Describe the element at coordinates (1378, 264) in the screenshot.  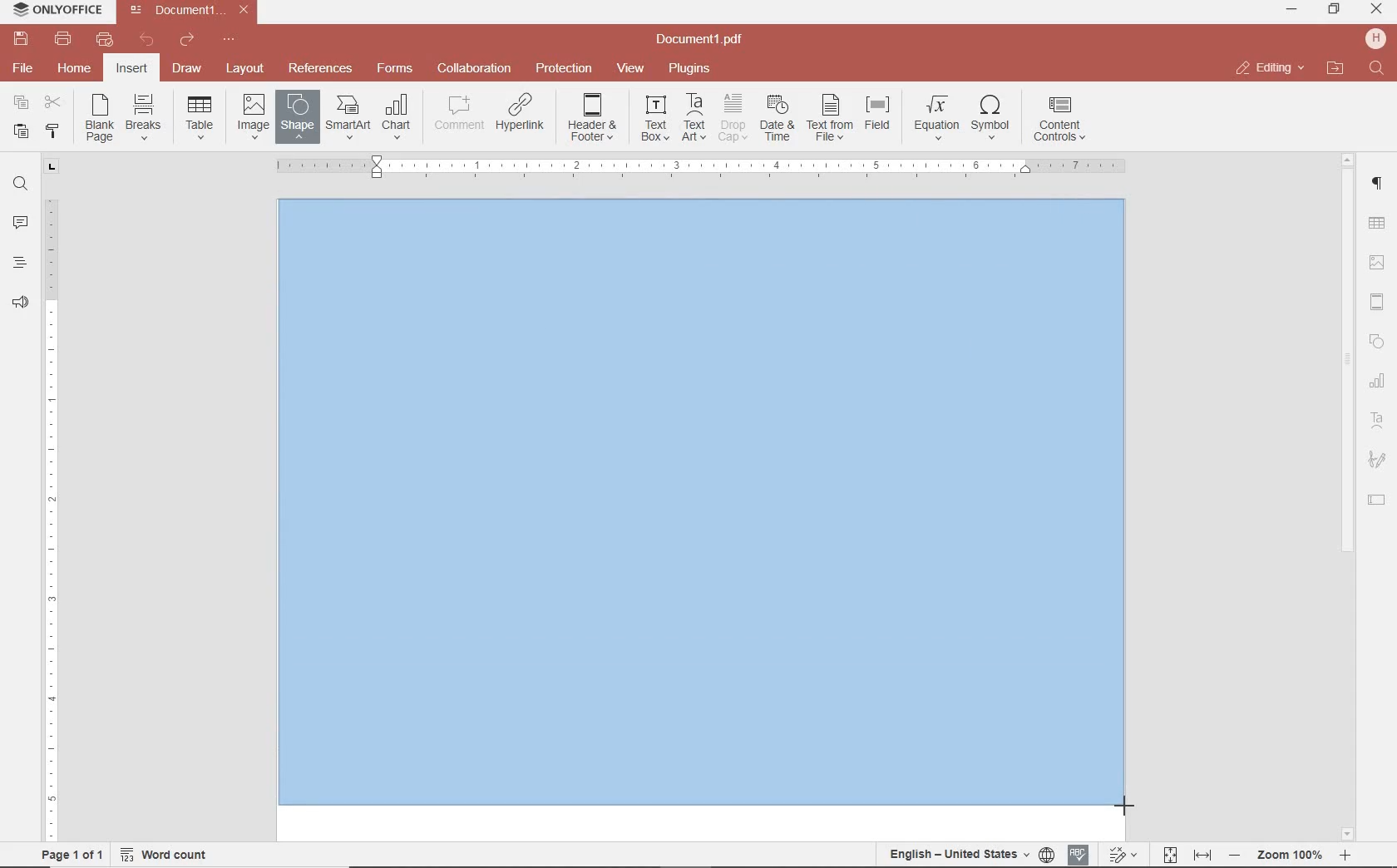
I see `IMAGE` at that location.